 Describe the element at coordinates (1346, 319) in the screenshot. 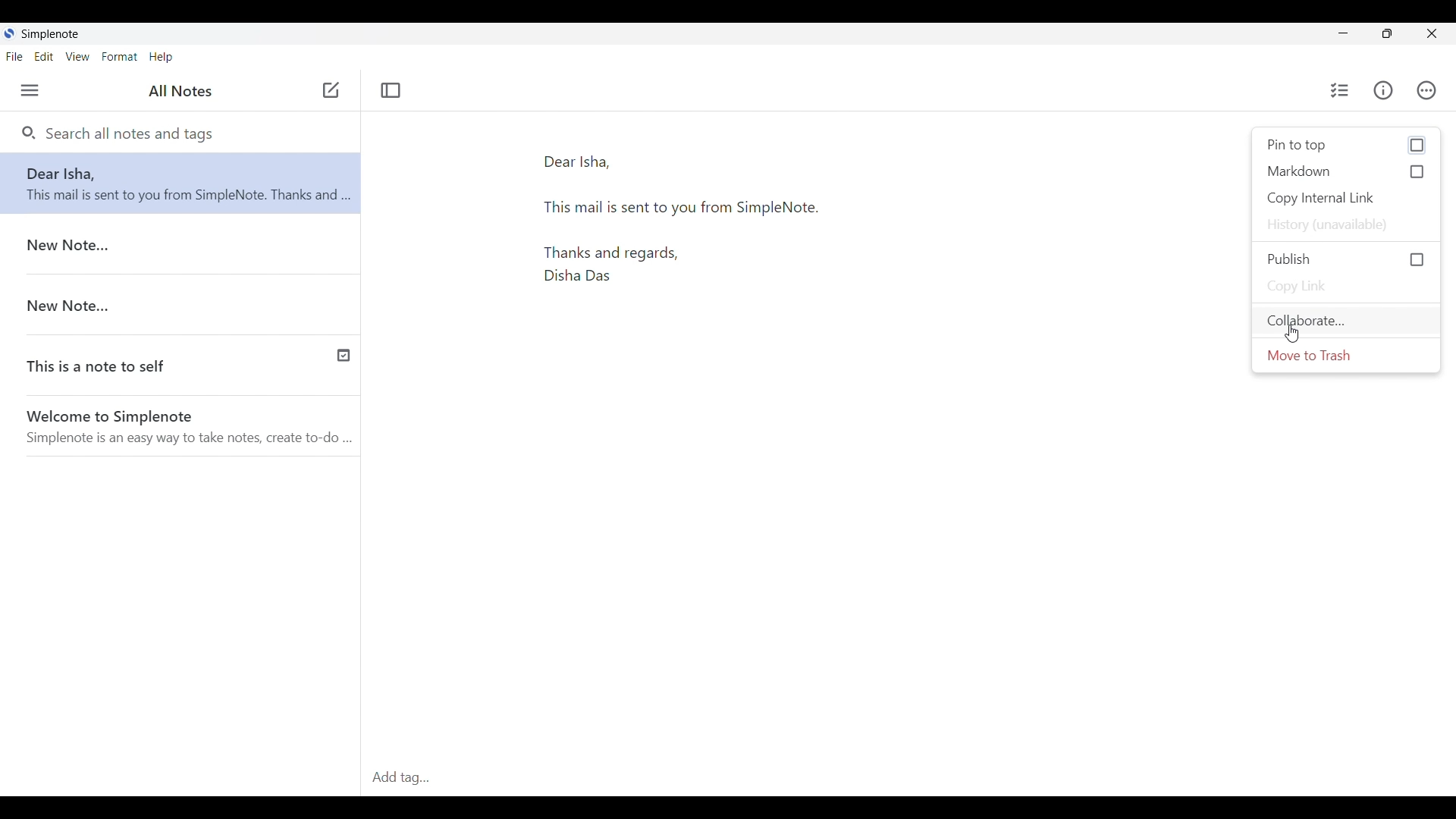

I see `Collaborate` at that location.